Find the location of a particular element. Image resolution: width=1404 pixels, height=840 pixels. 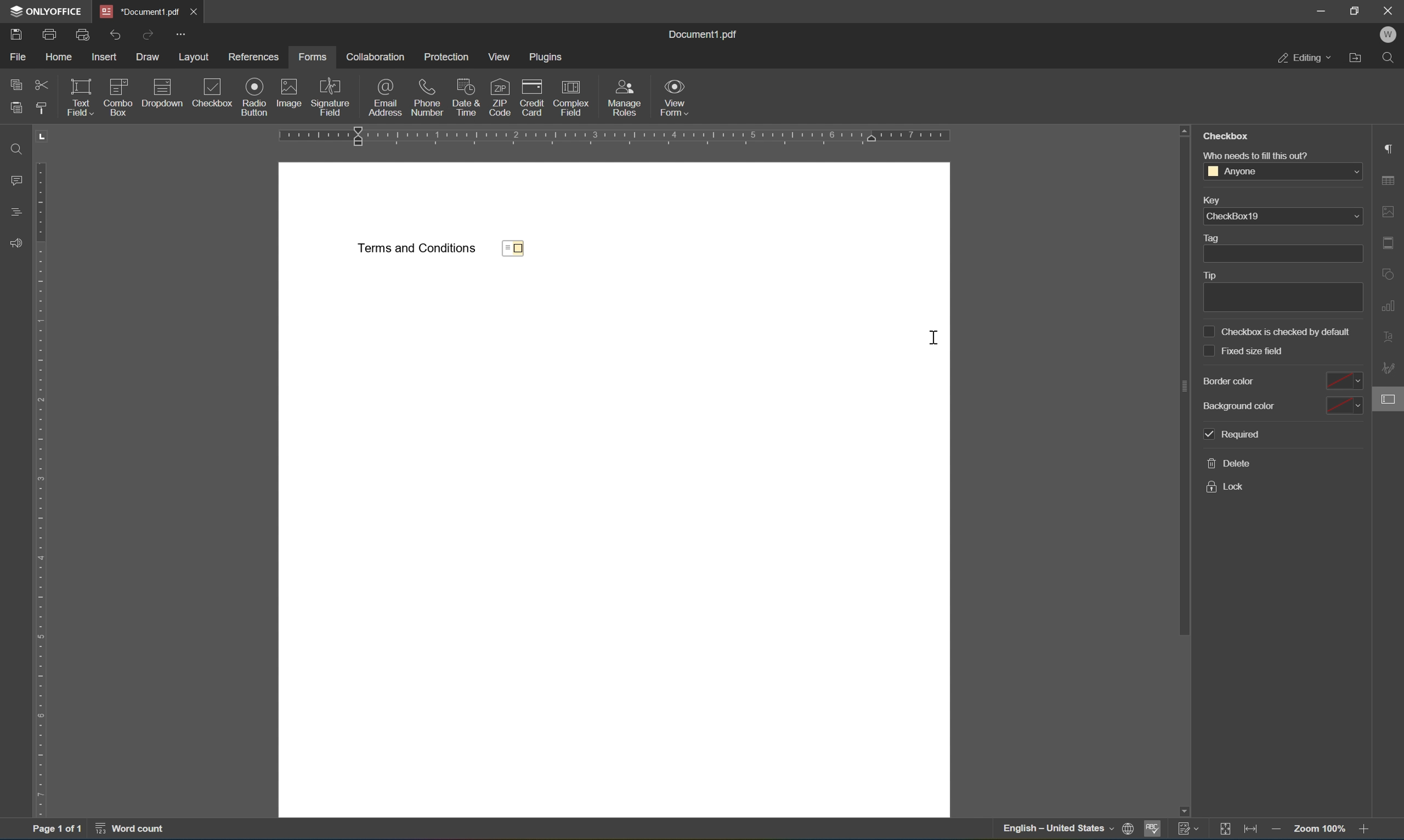

checkbox is located at coordinates (205, 93).